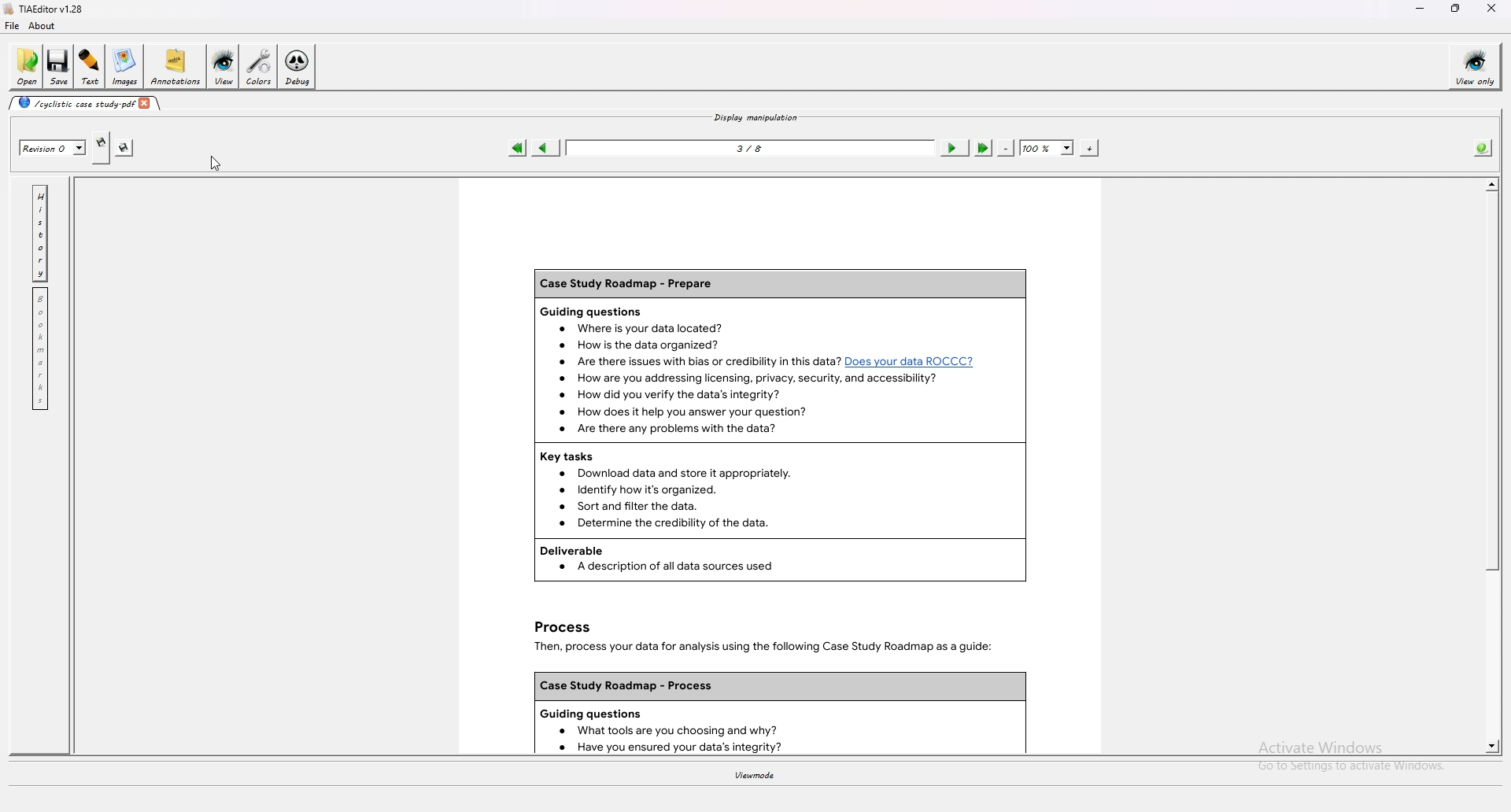 The width and height of the screenshot is (1511, 812). What do you see at coordinates (26, 67) in the screenshot?
I see `open` at bounding box center [26, 67].